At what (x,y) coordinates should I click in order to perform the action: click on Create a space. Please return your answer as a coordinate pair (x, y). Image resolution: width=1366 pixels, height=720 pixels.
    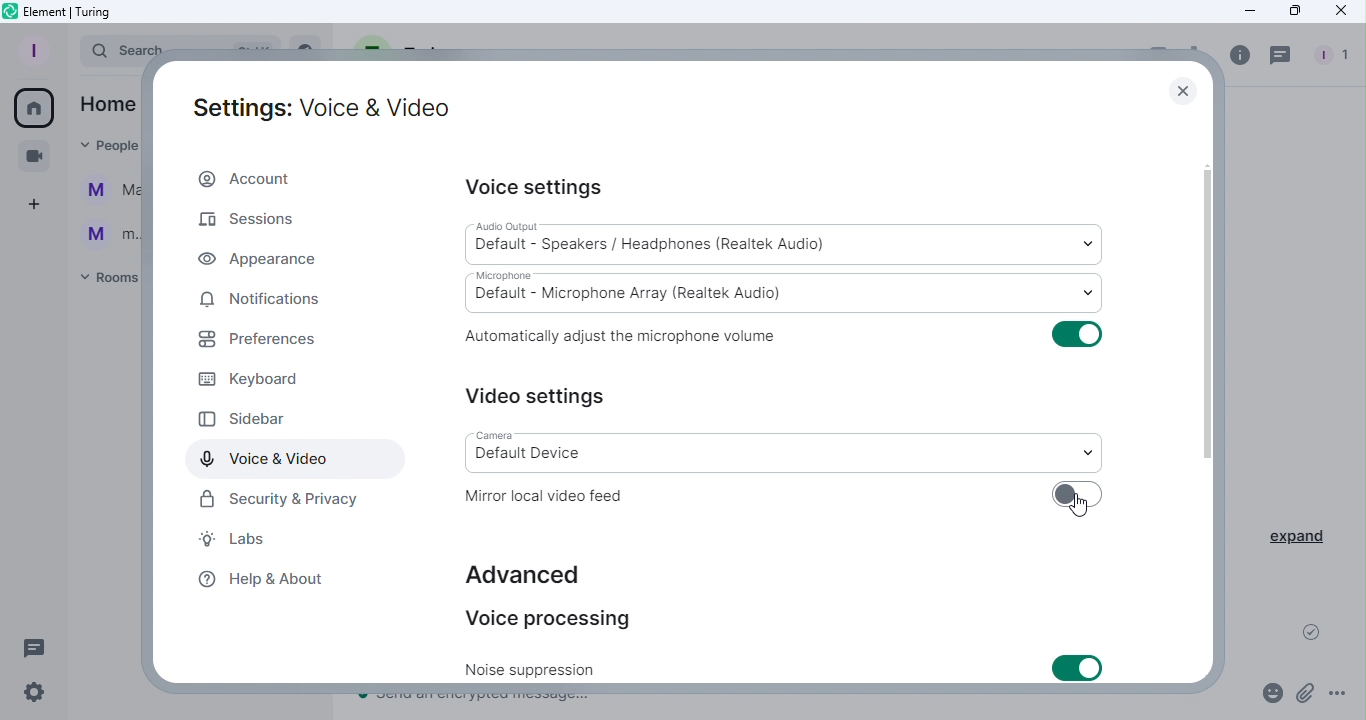
    Looking at the image, I should click on (36, 202).